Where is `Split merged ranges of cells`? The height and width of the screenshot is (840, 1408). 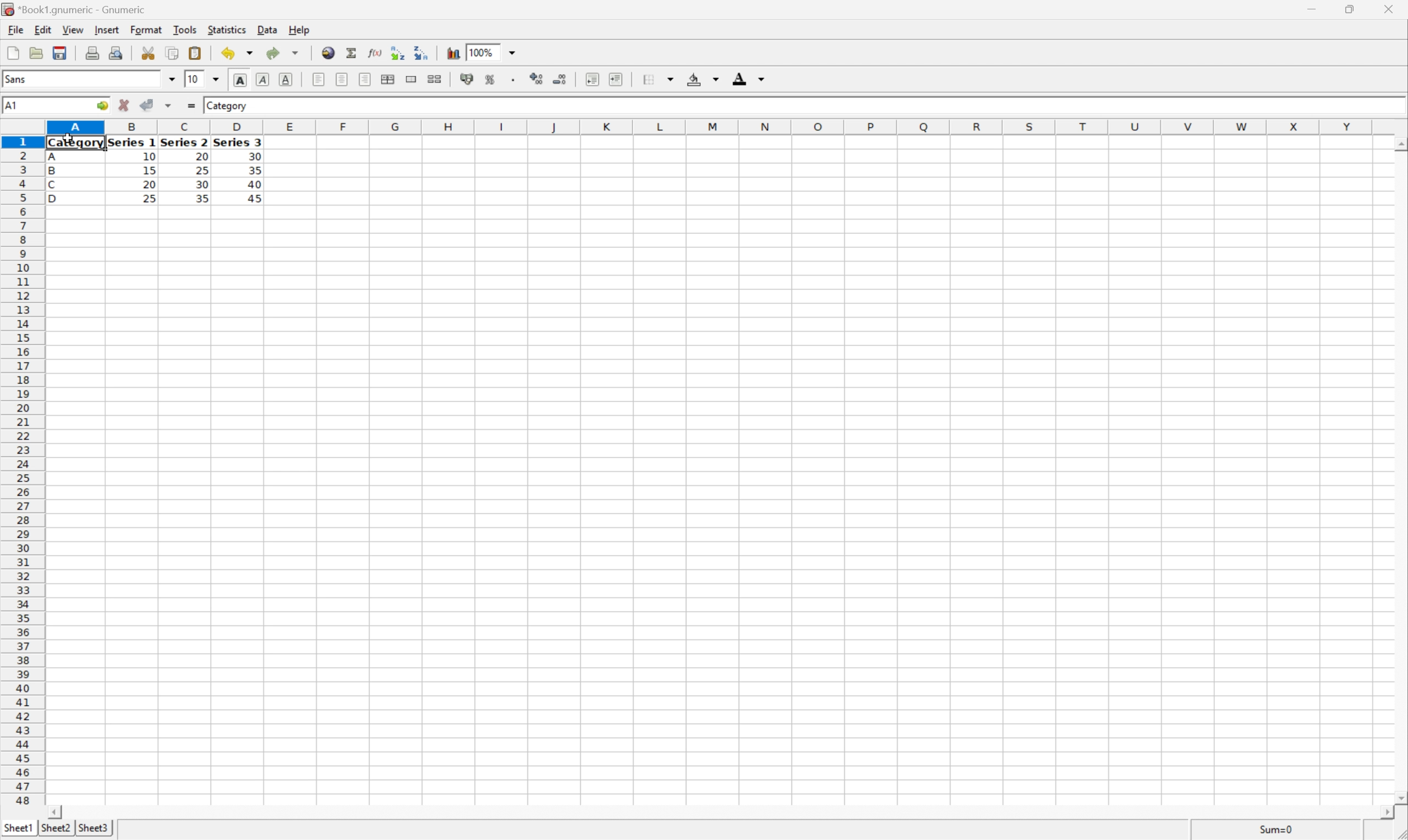
Split merged ranges of cells is located at coordinates (435, 79).